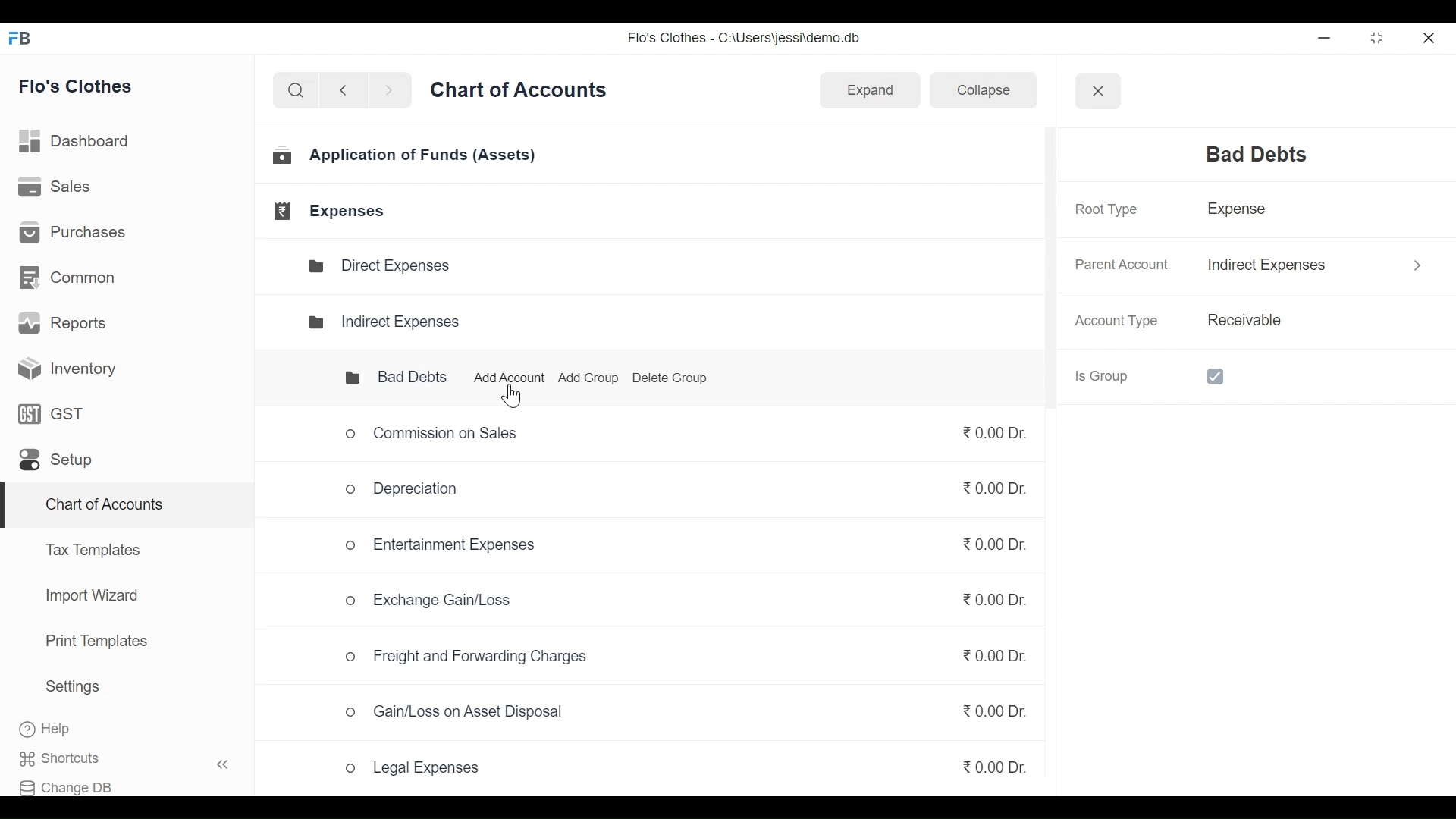 This screenshot has height=819, width=1456. Describe the element at coordinates (990, 550) in the screenshot. I see `₹0.00 Dr.` at that location.